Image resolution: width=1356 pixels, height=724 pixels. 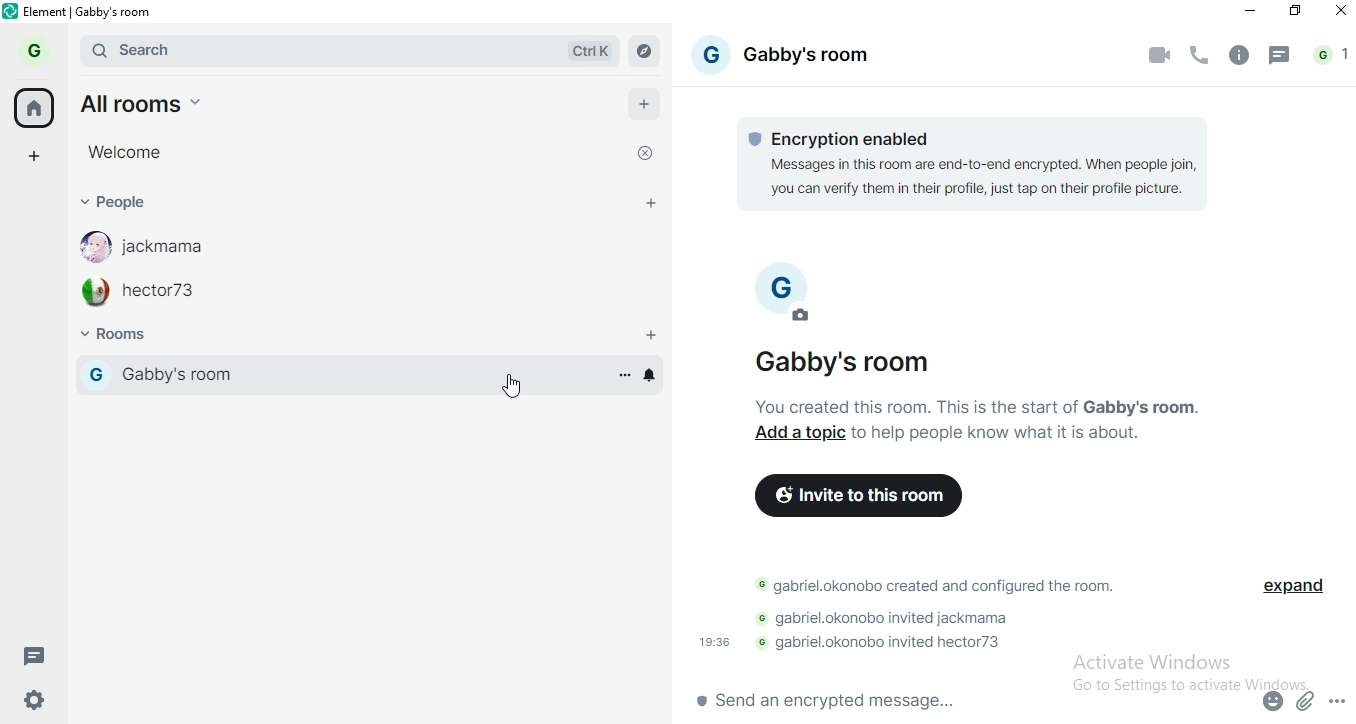 What do you see at coordinates (624, 376) in the screenshot?
I see `option` at bounding box center [624, 376].